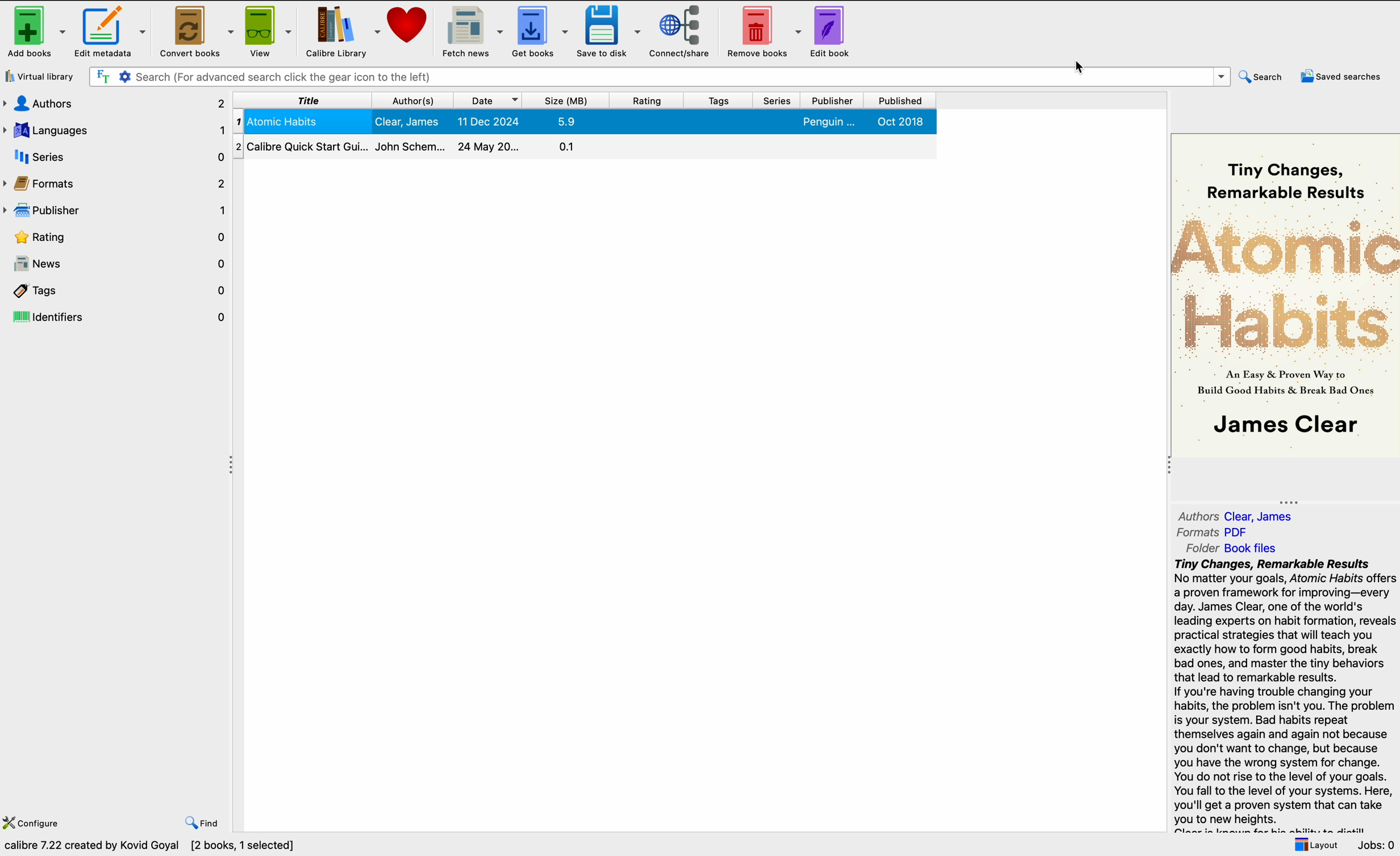  I want to click on identifiers, so click(116, 318).